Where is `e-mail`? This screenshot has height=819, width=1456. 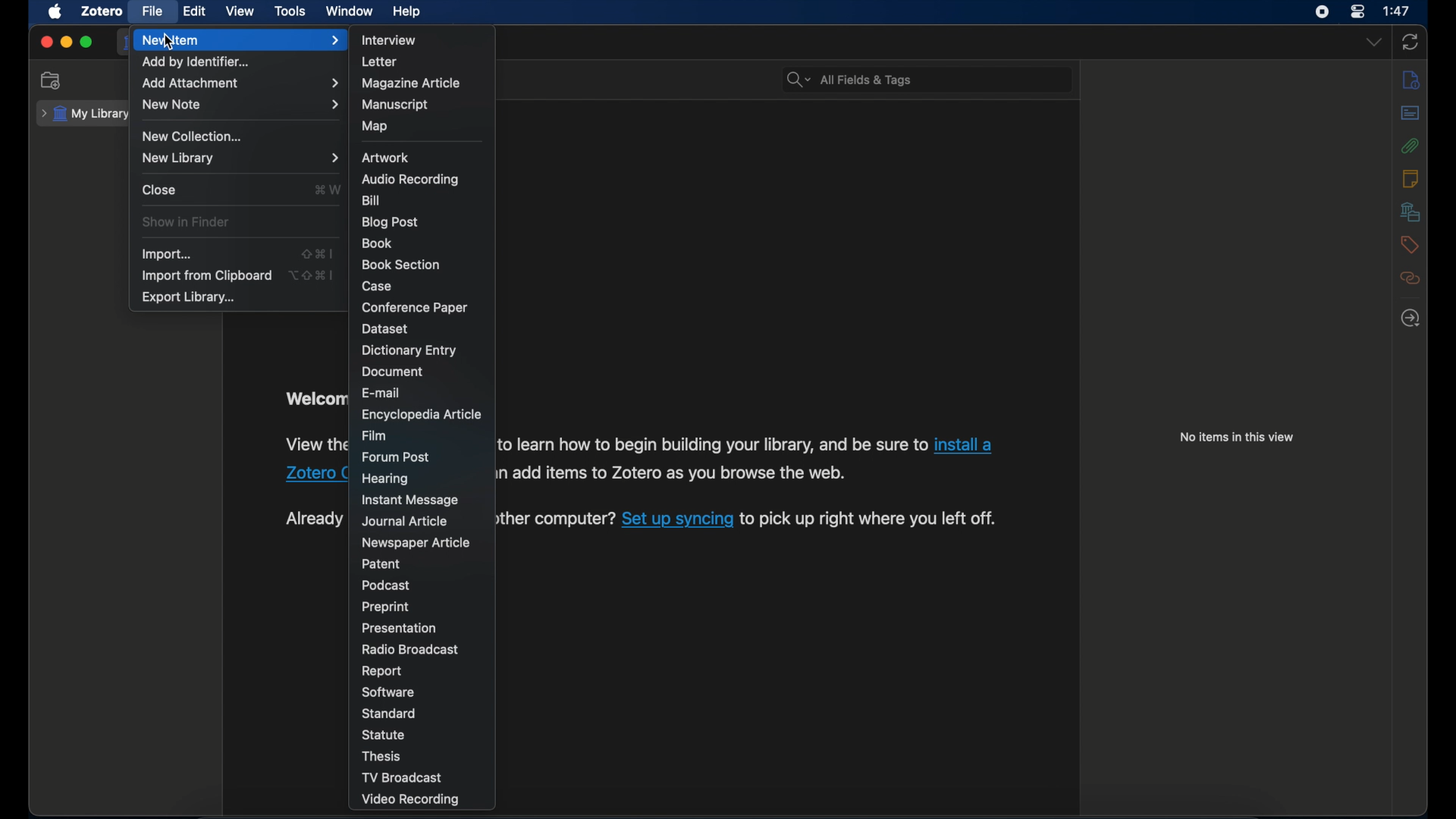 e-mail is located at coordinates (381, 392).